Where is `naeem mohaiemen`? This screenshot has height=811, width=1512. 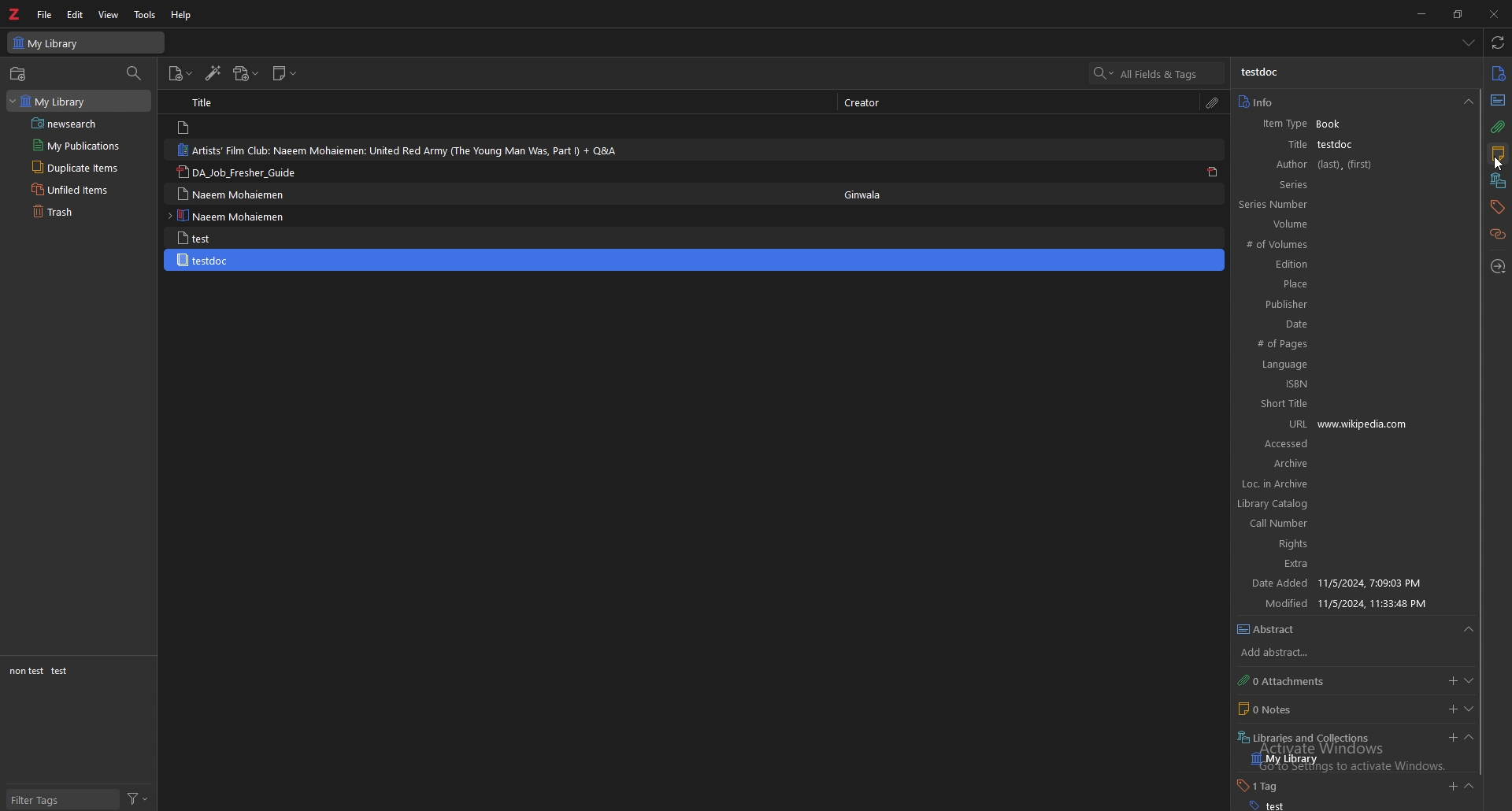 naeem mohaiemen is located at coordinates (235, 194).